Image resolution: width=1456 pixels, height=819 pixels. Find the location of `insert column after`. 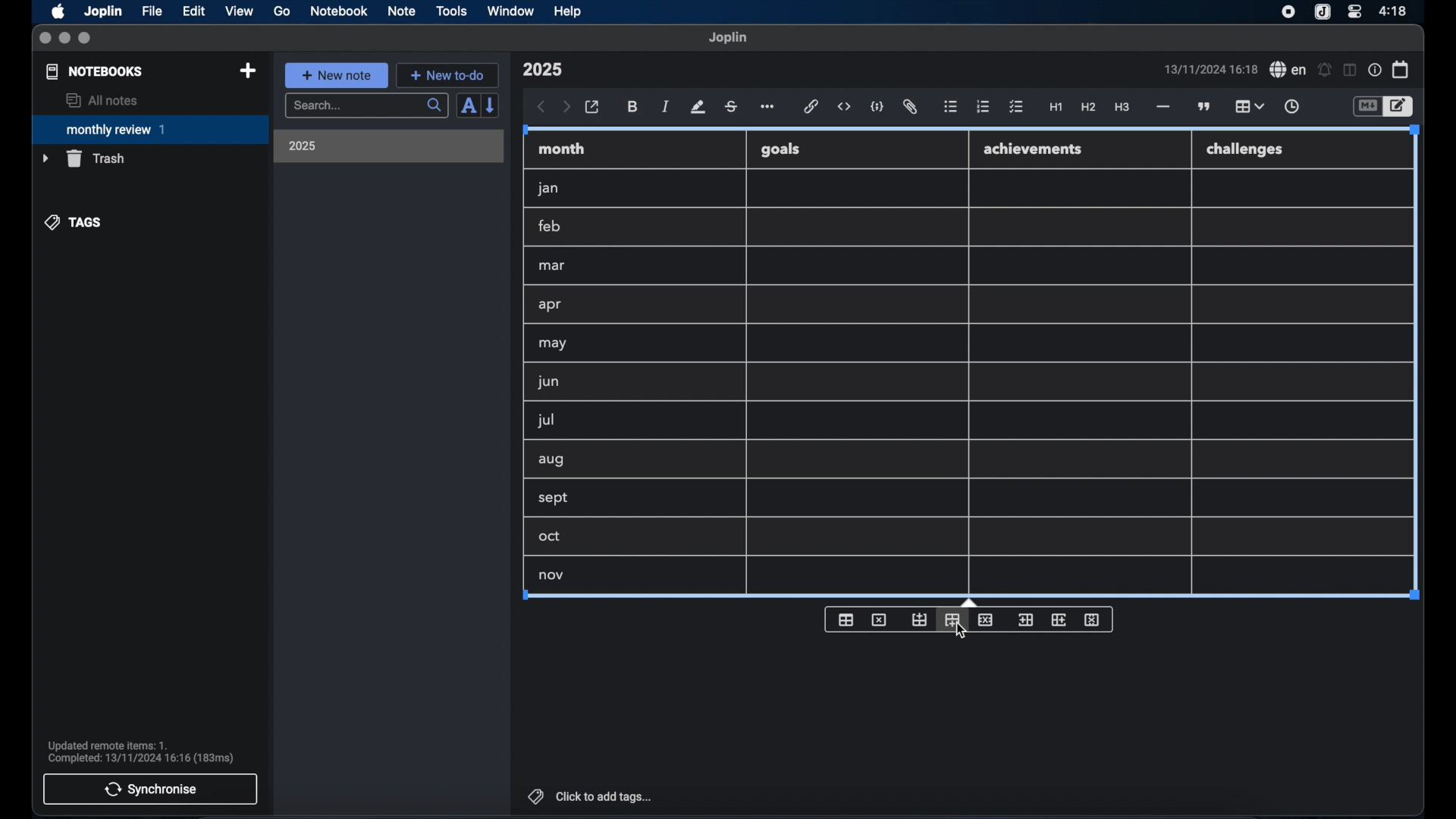

insert column after is located at coordinates (1061, 620).